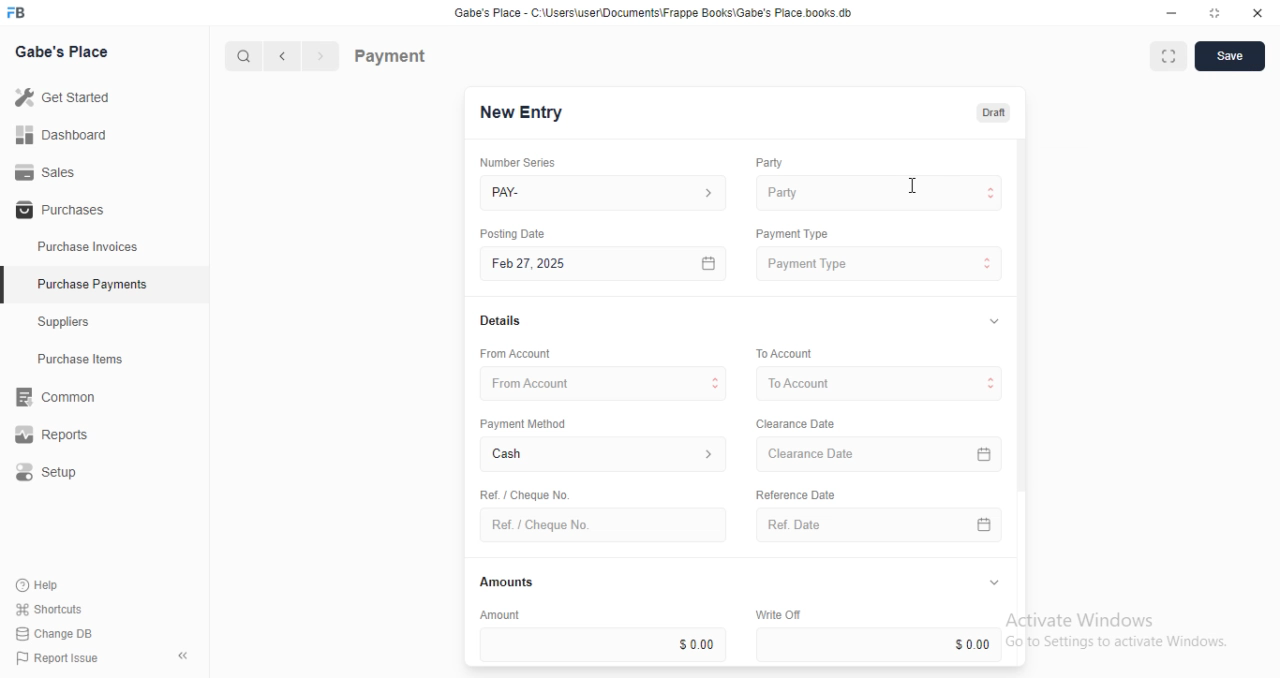 The width and height of the screenshot is (1280, 678). What do you see at coordinates (522, 423) in the screenshot?
I see `‘Payment Method` at bounding box center [522, 423].